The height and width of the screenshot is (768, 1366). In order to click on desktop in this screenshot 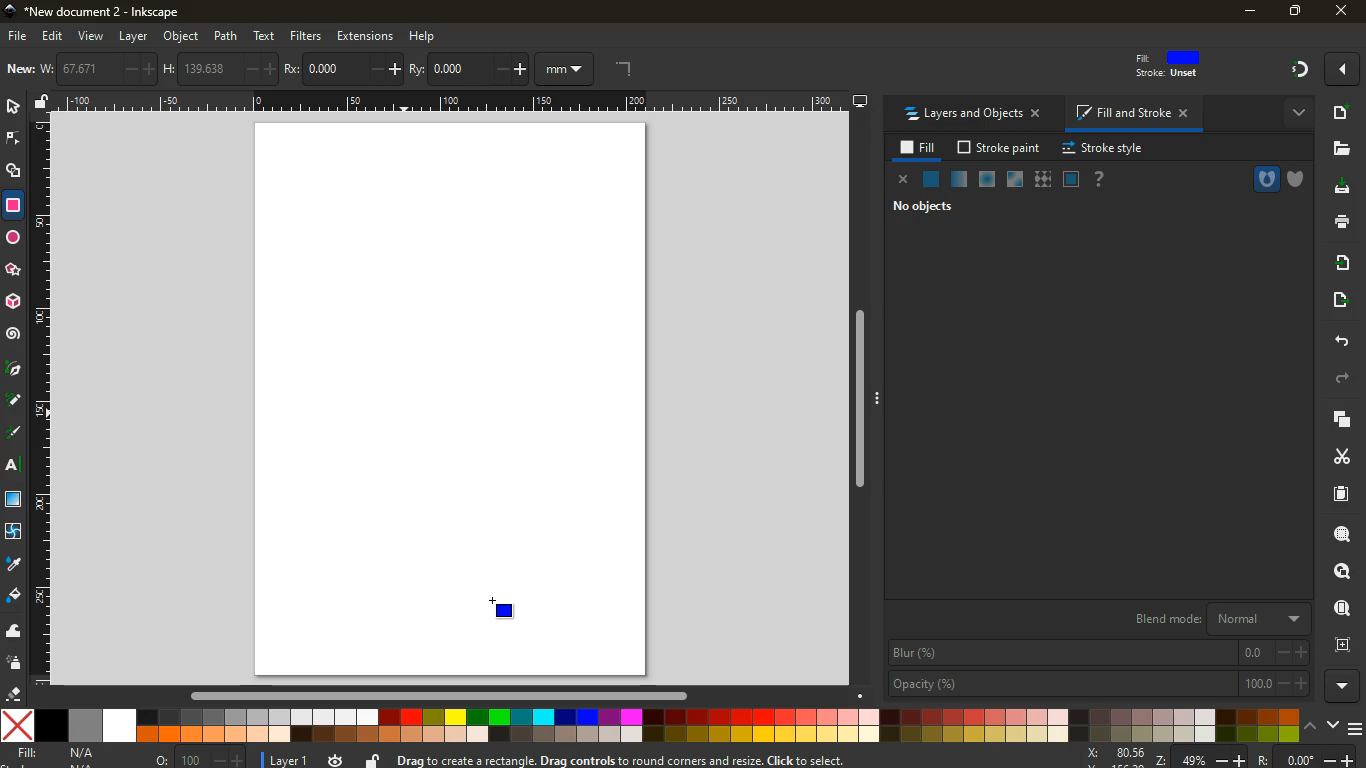, I will do `click(1335, 189)`.